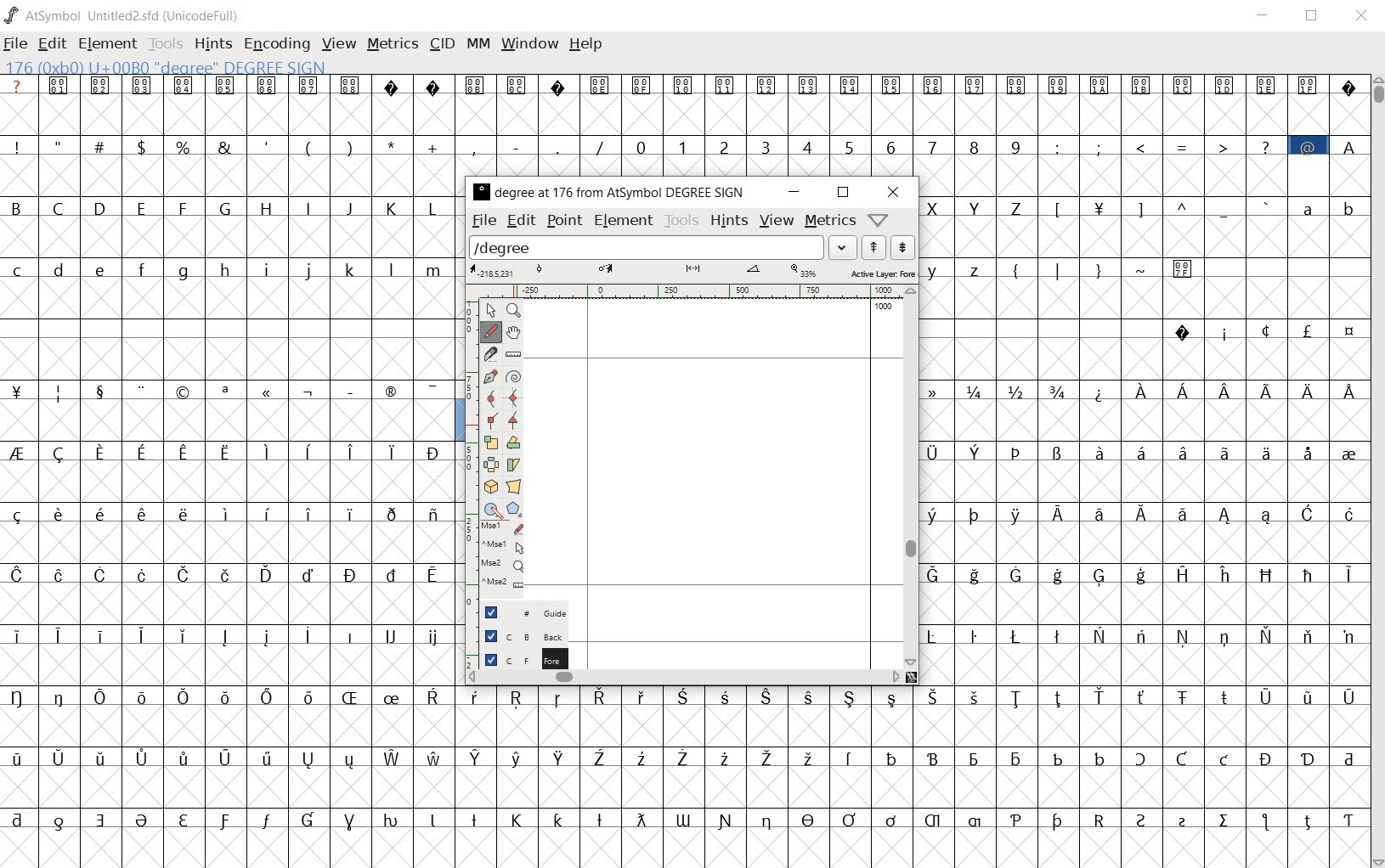 The height and width of the screenshot is (868, 1385). What do you see at coordinates (829, 222) in the screenshot?
I see `metrics` at bounding box center [829, 222].